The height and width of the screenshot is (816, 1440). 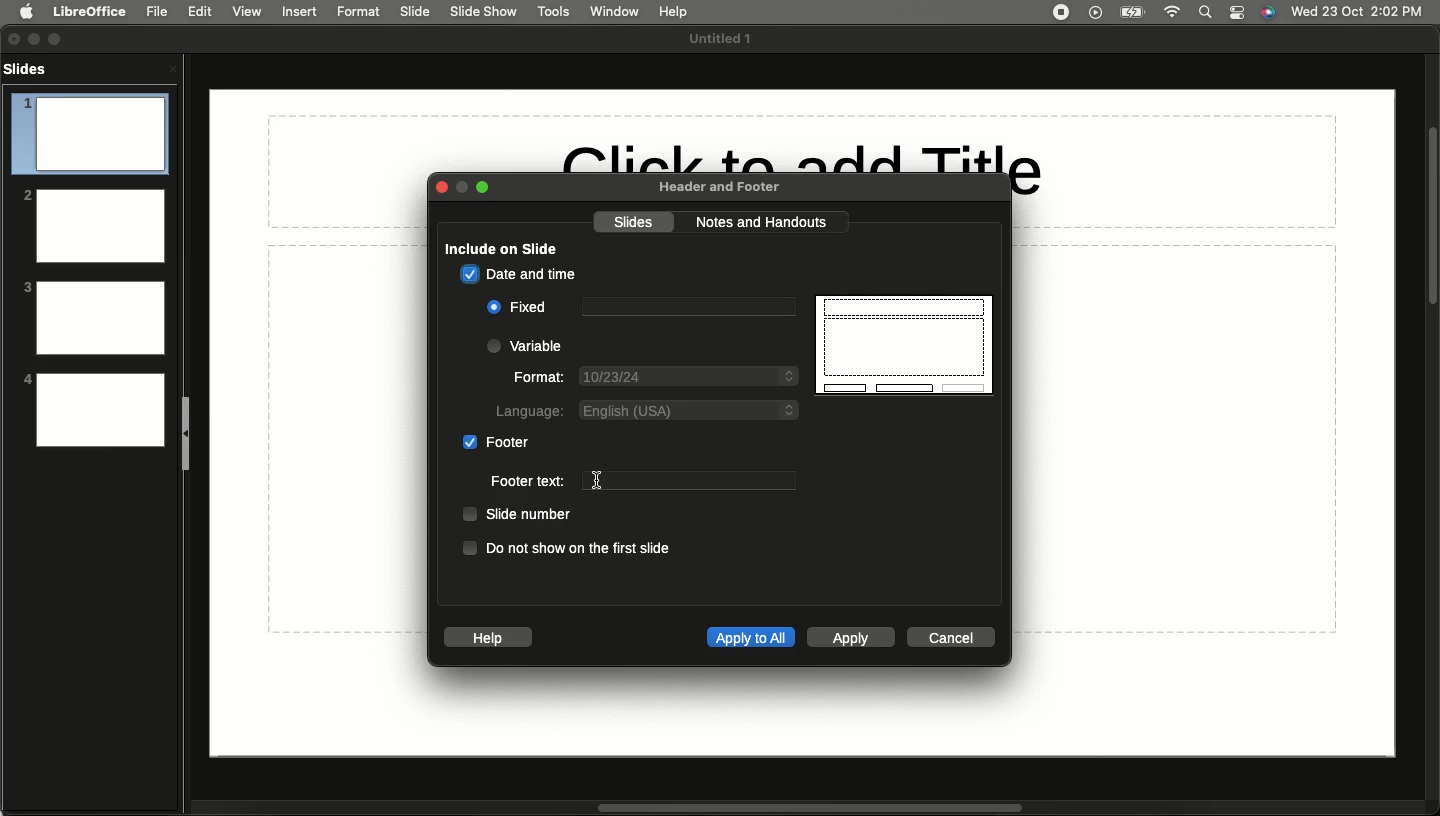 What do you see at coordinates (495, 442) in the screenshot?
I see `Footer` at bounding box center [495, 442].